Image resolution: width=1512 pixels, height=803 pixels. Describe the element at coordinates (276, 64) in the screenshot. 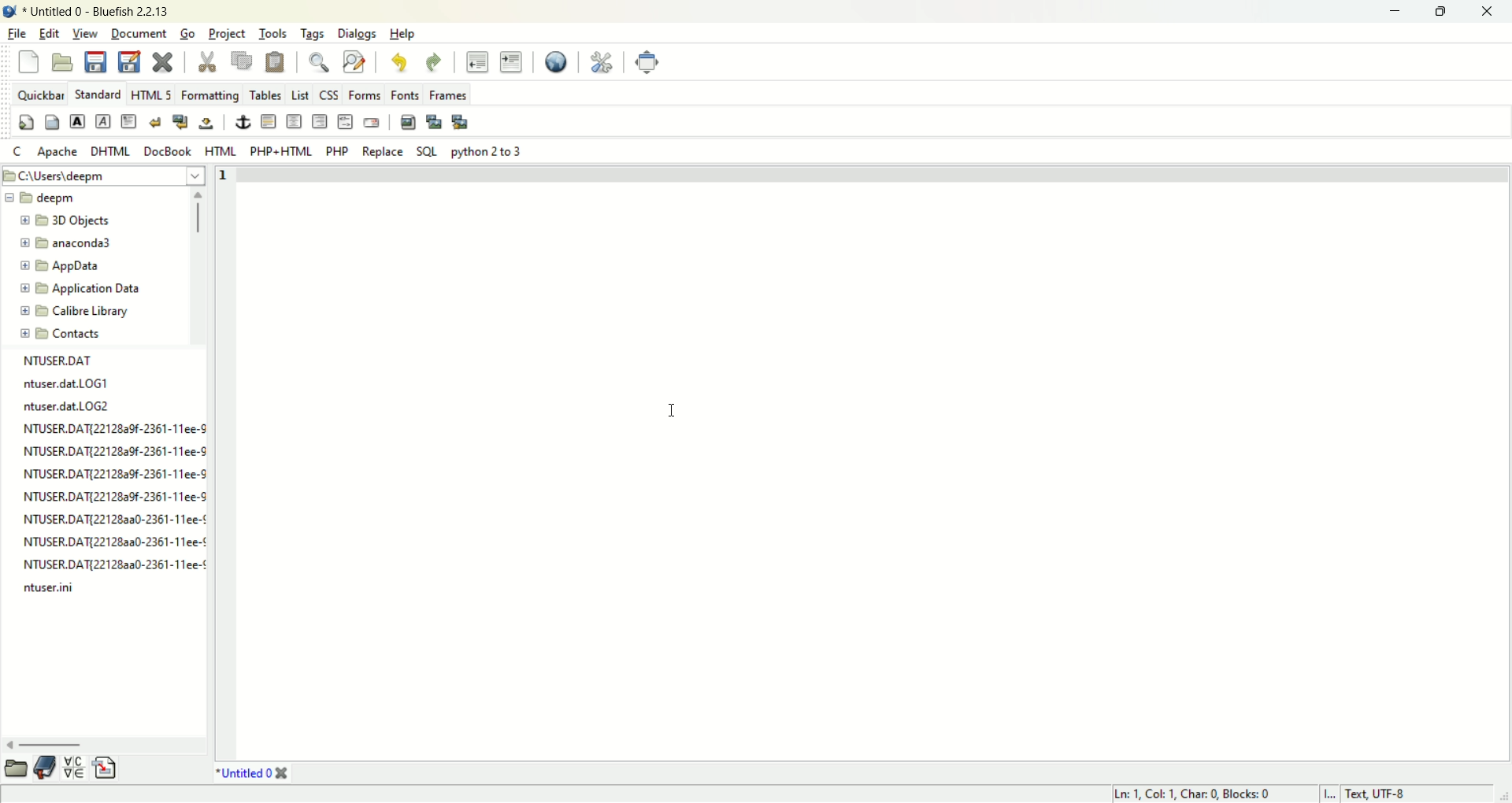

I see `paste` at that location.